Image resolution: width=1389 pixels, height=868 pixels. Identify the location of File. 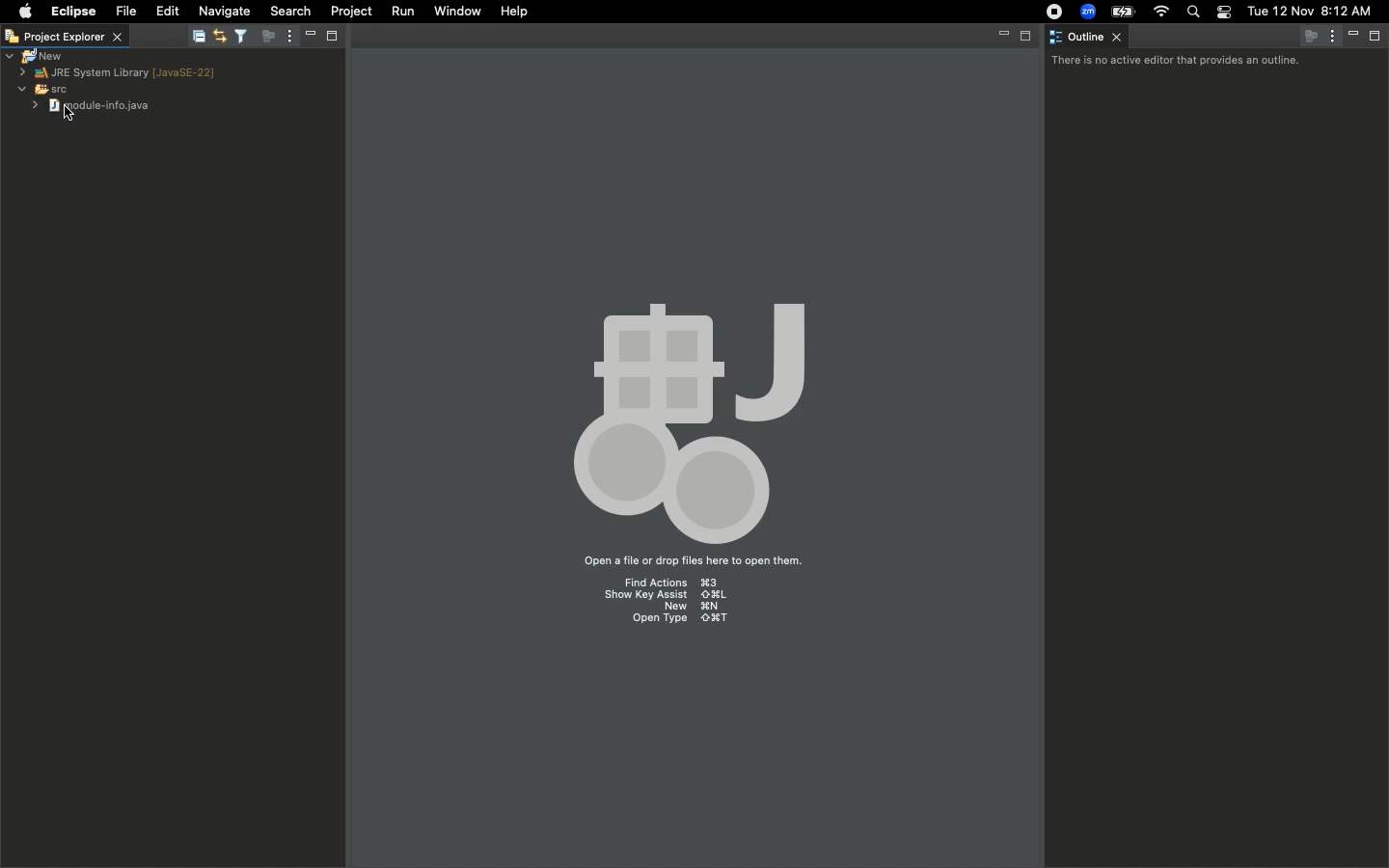
(125, 10).